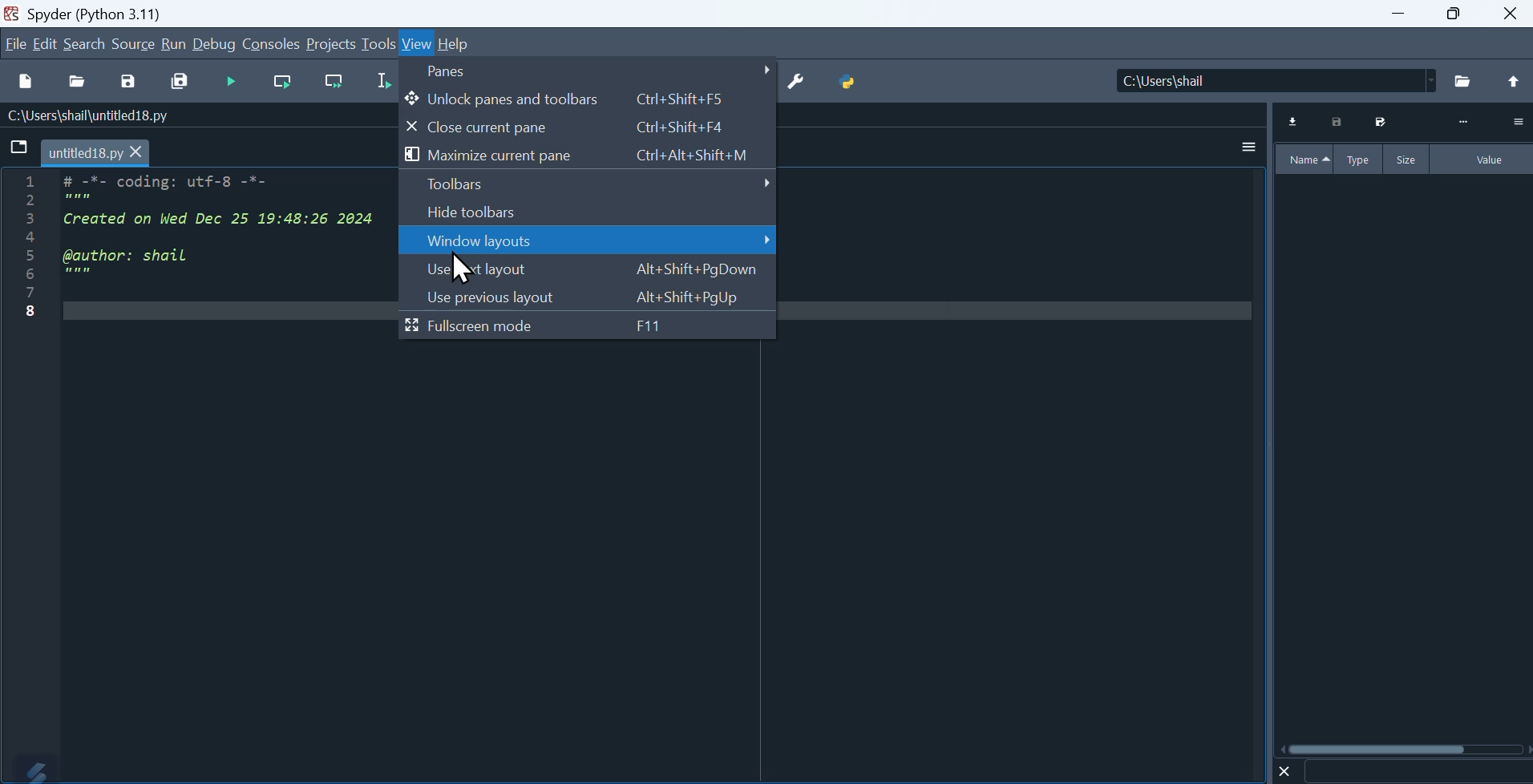  I want to click on View, so click(418, 45).